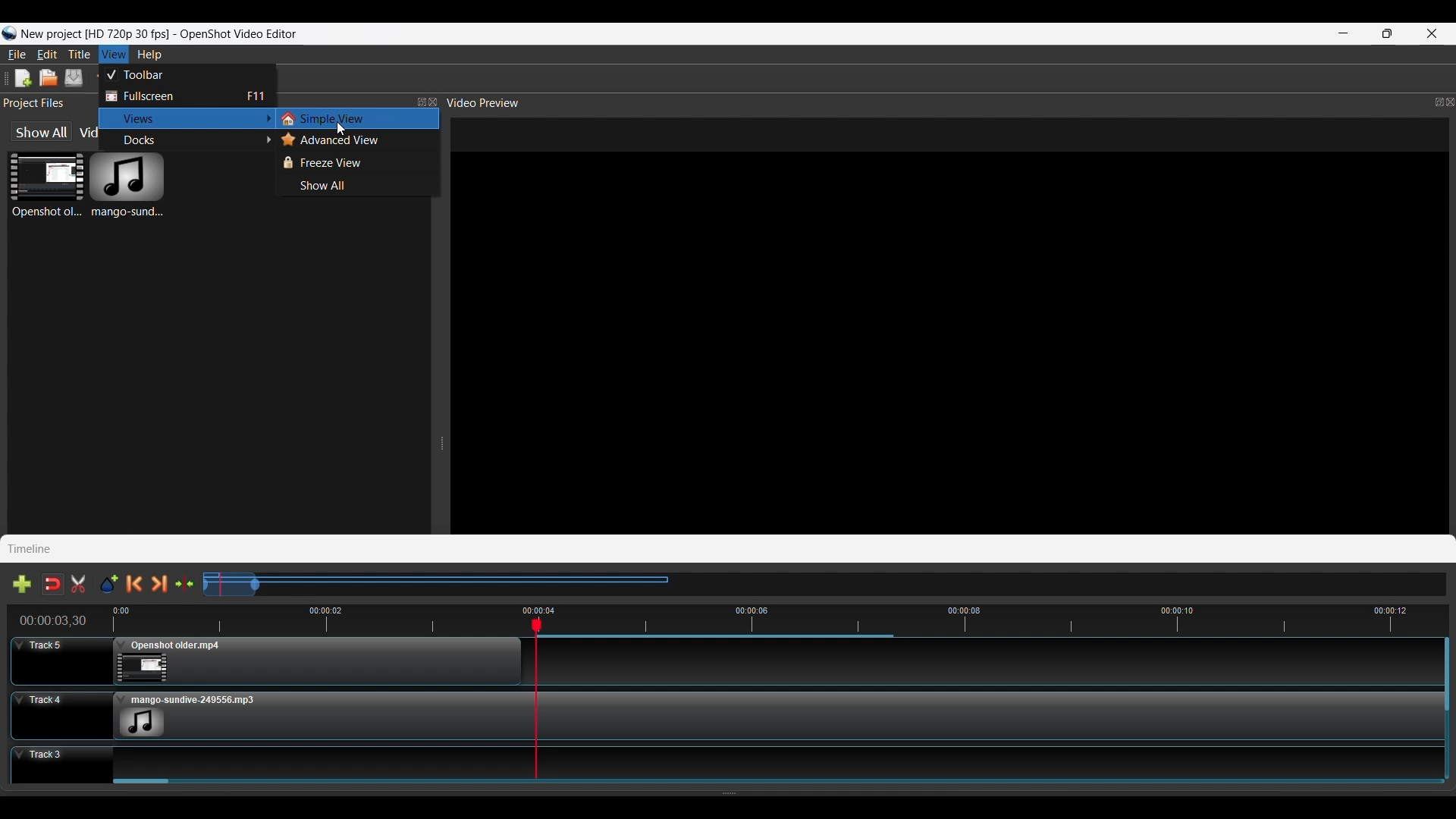  Describe the element at coordinates (824, 585) in the screenshot. I see `Slider` at that location.